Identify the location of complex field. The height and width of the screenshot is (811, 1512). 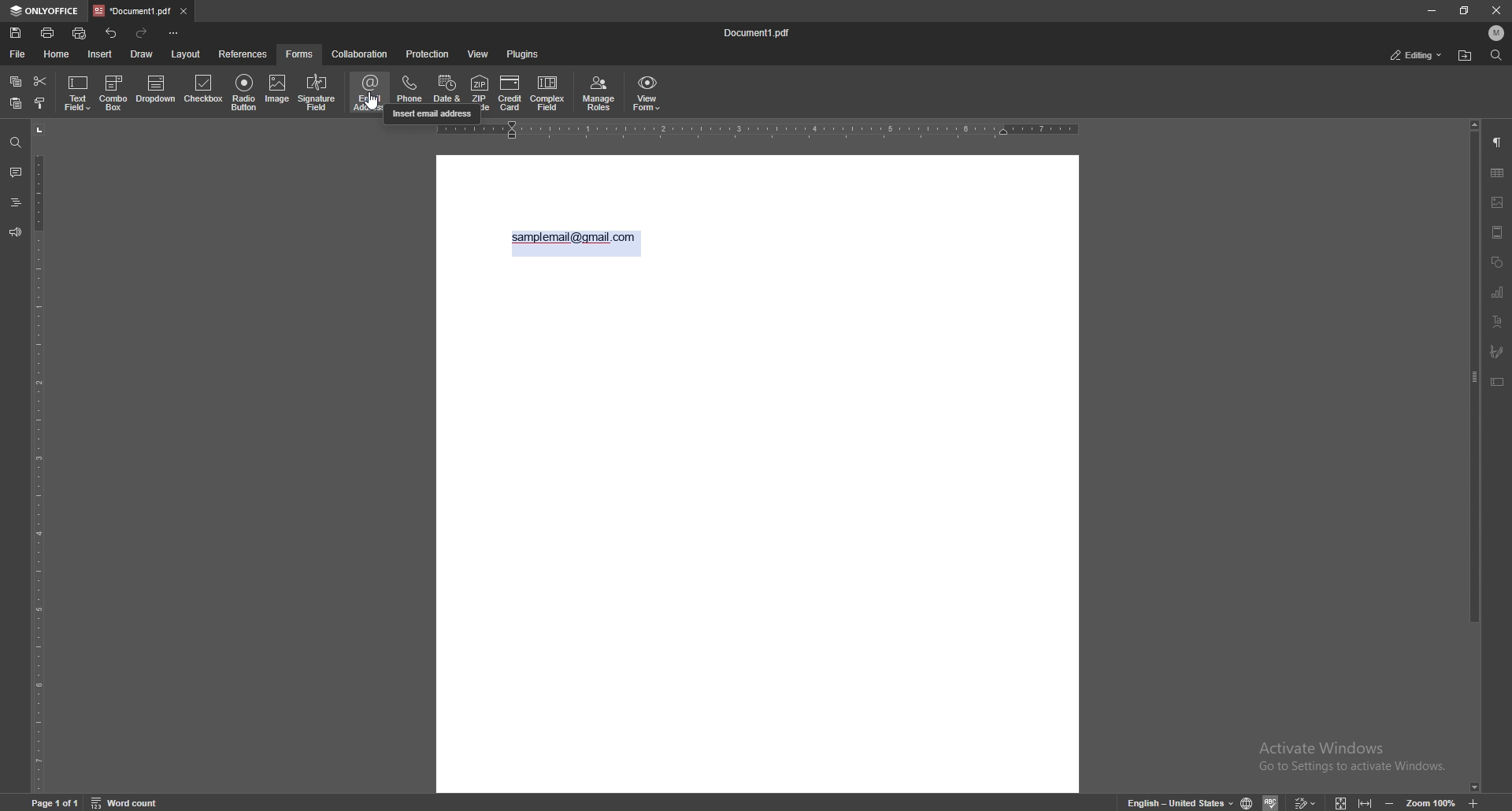
(548, 93).